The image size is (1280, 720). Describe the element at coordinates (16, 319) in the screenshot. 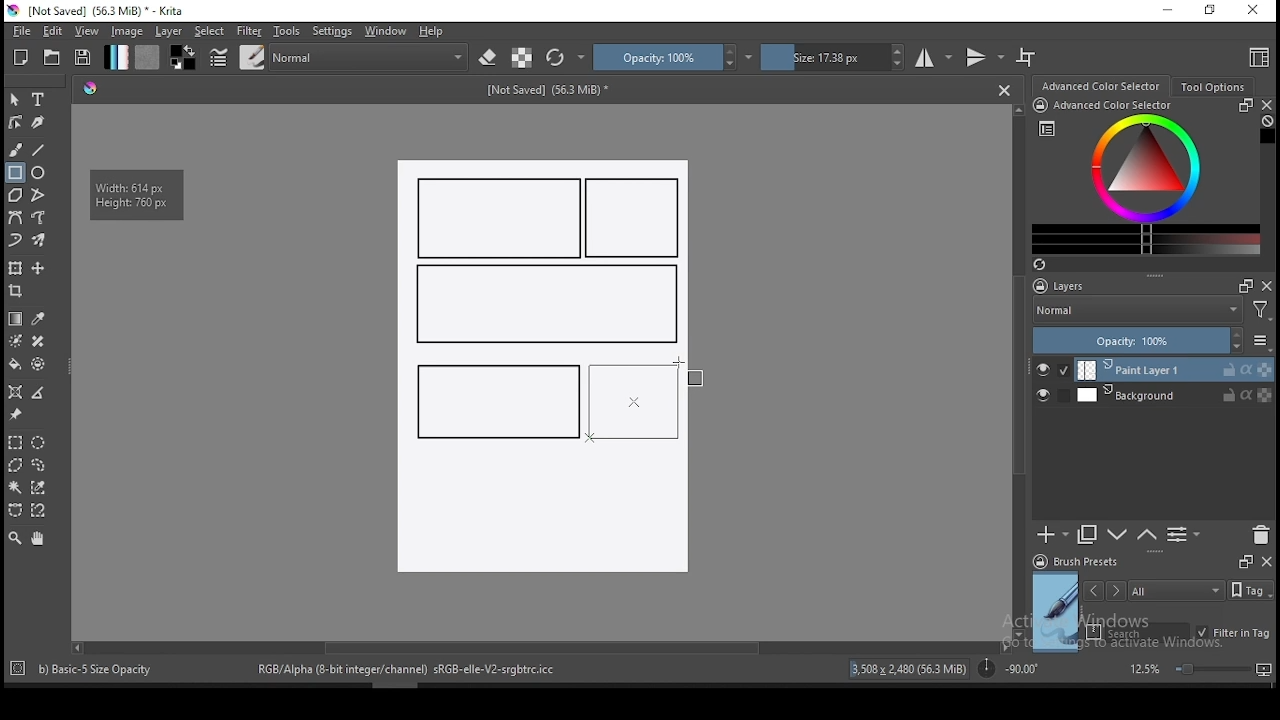

I see `gradient tool` at that location.